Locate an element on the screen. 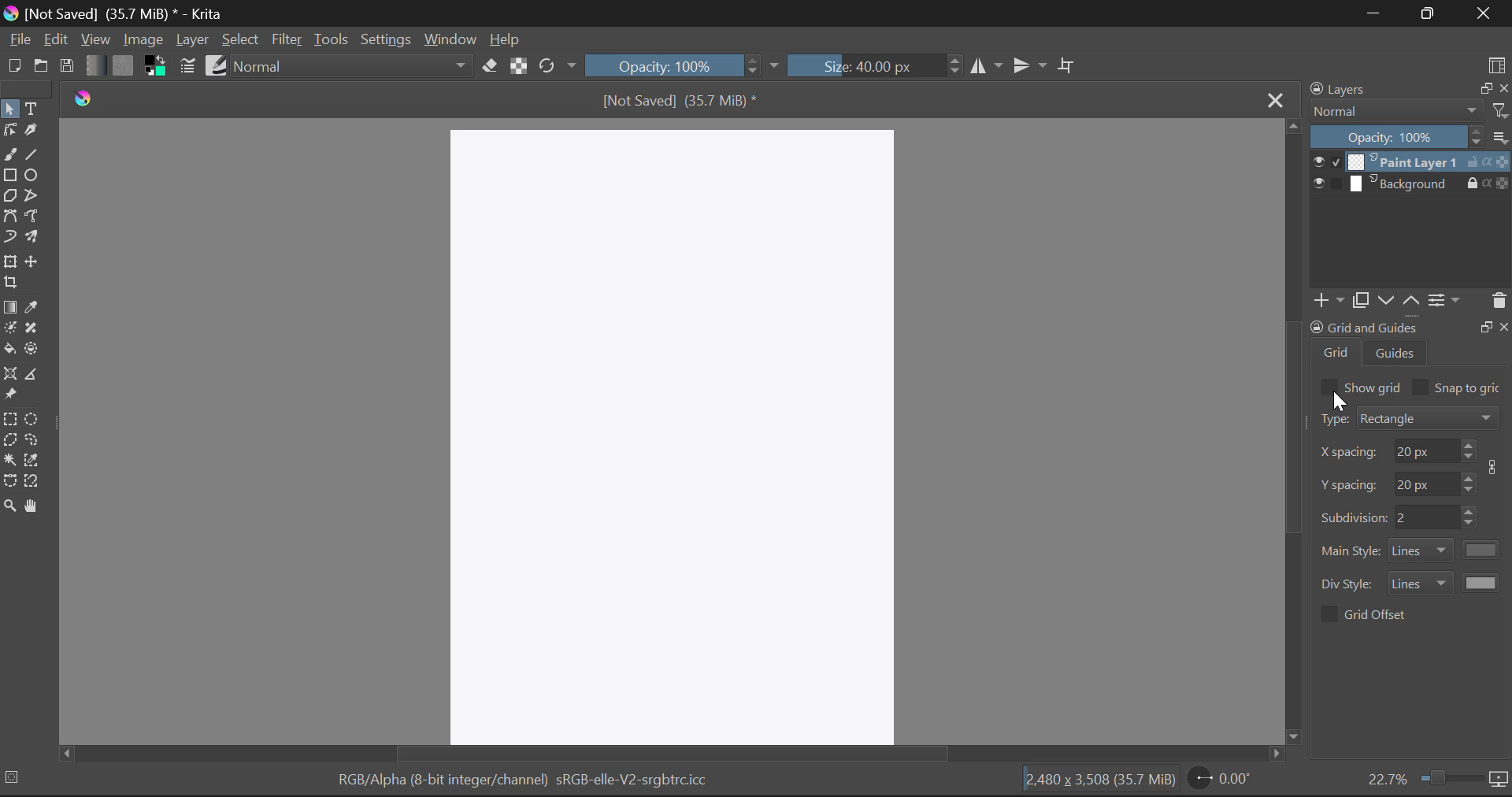 The image size is (1512, 797). up is located at coordinates (1410, 301).